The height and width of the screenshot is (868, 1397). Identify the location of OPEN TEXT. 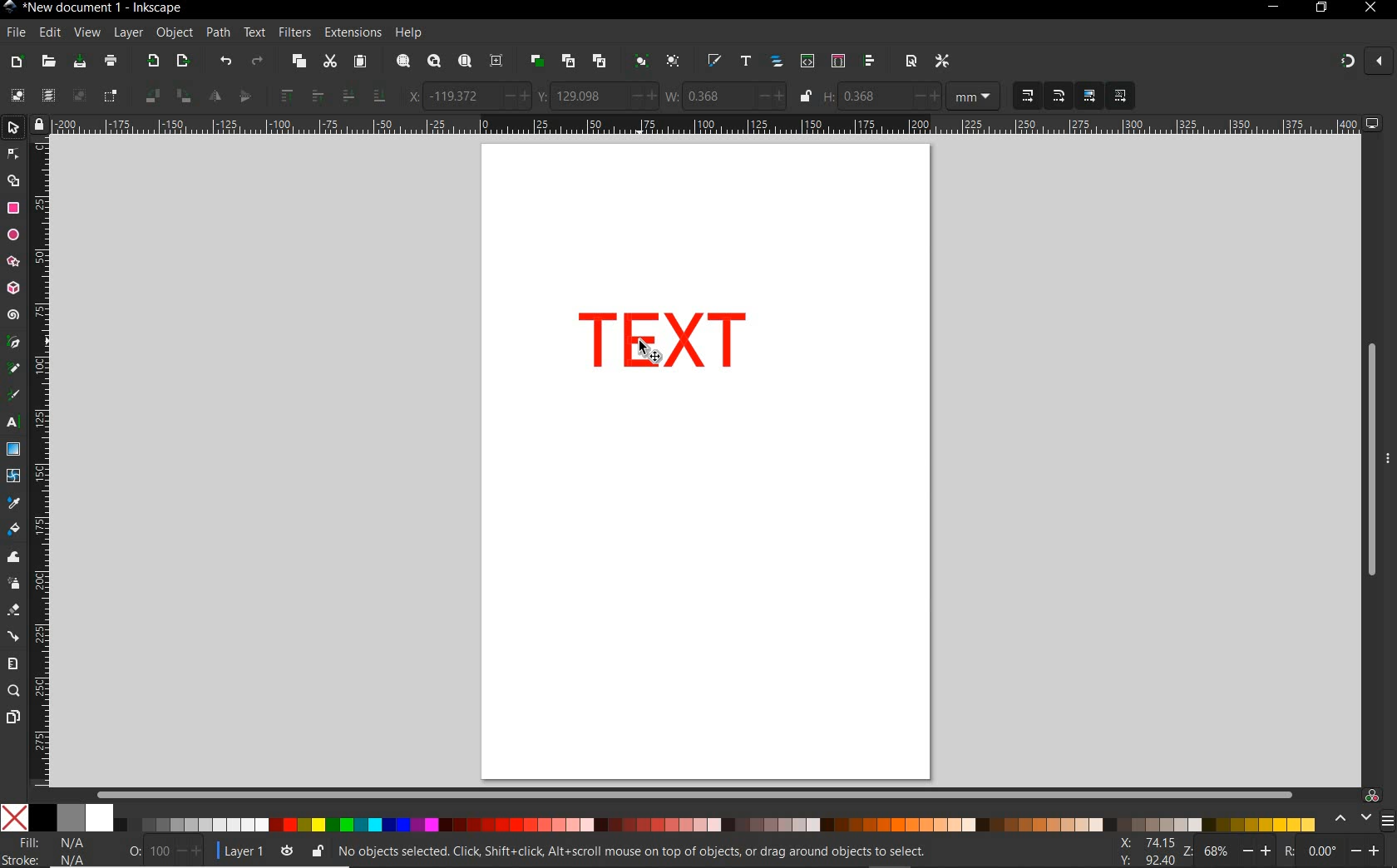
(744, 62).